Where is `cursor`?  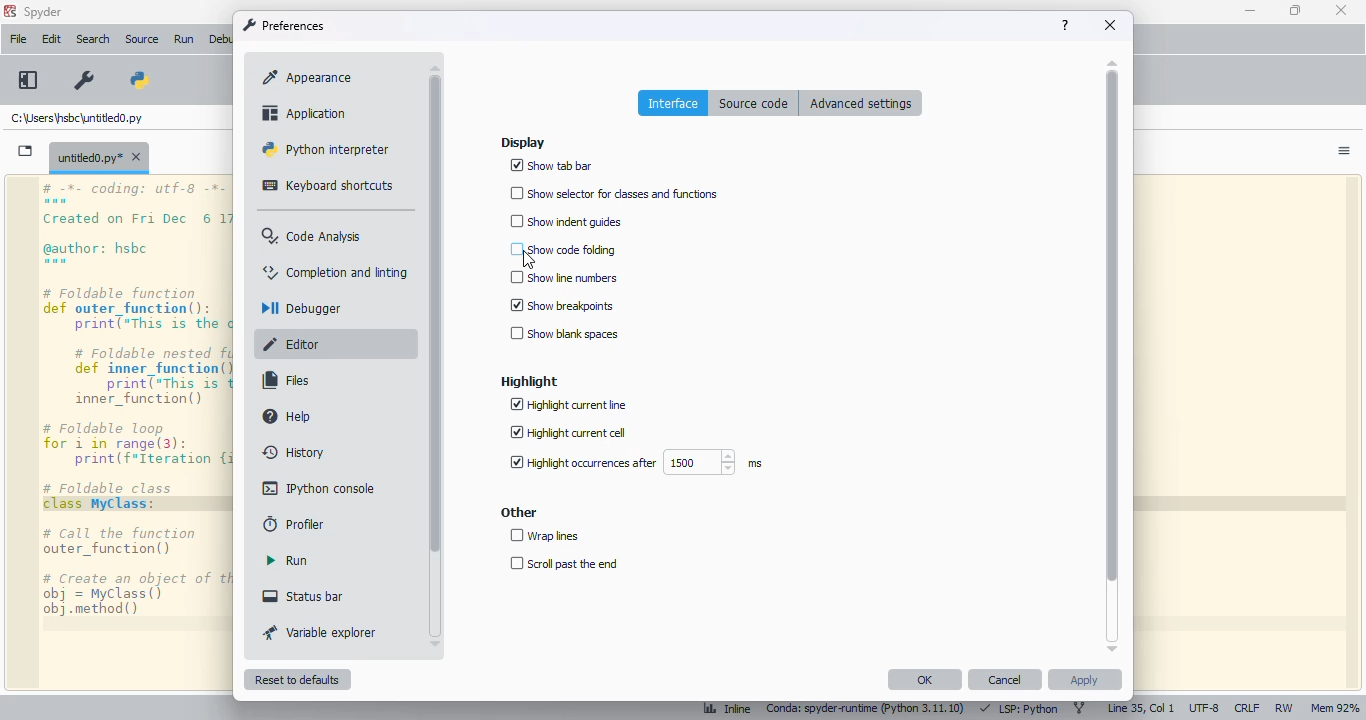
cursor is located at coordinates (528, 260).